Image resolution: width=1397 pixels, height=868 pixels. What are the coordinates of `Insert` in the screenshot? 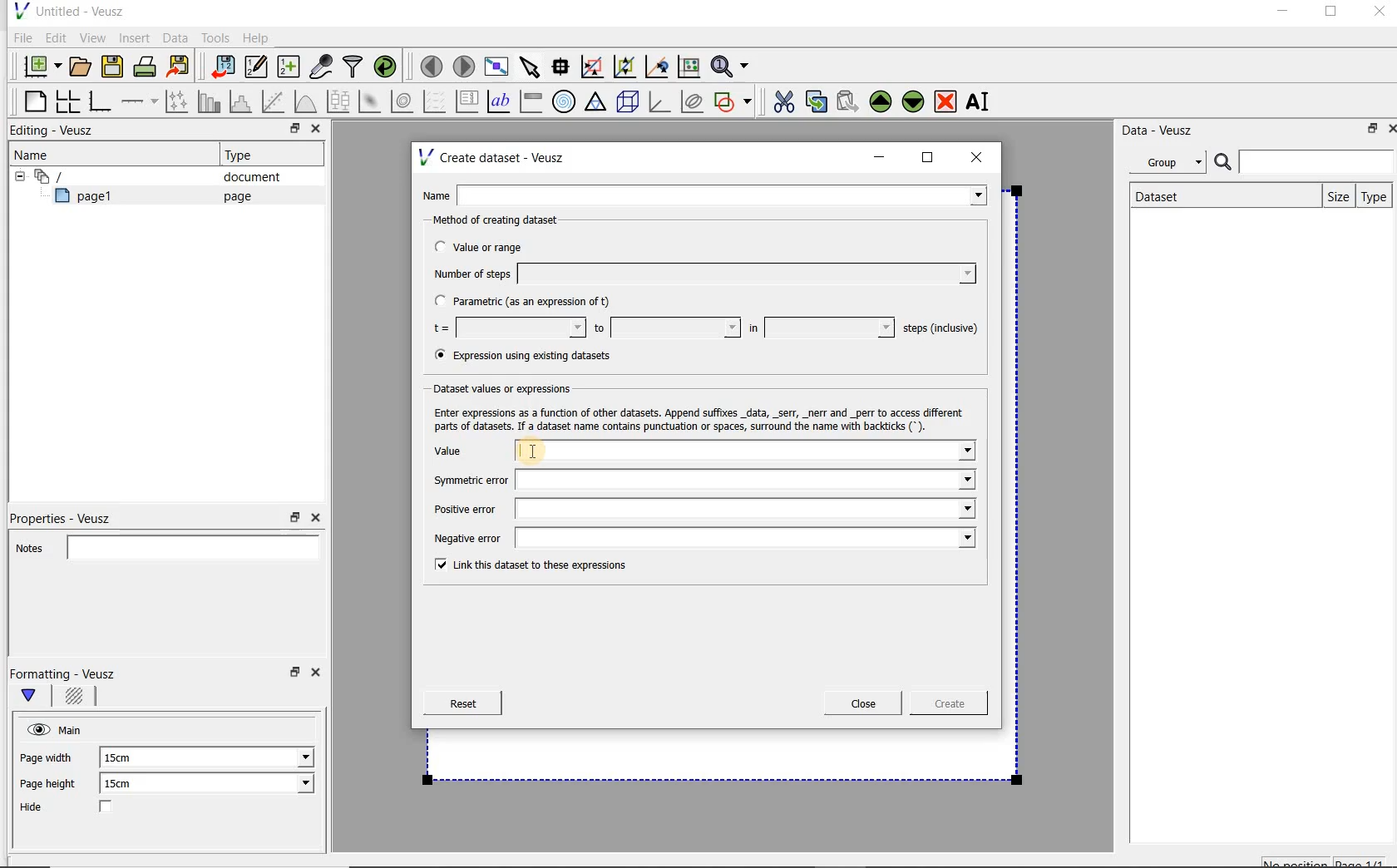 It's located at (136, 37).